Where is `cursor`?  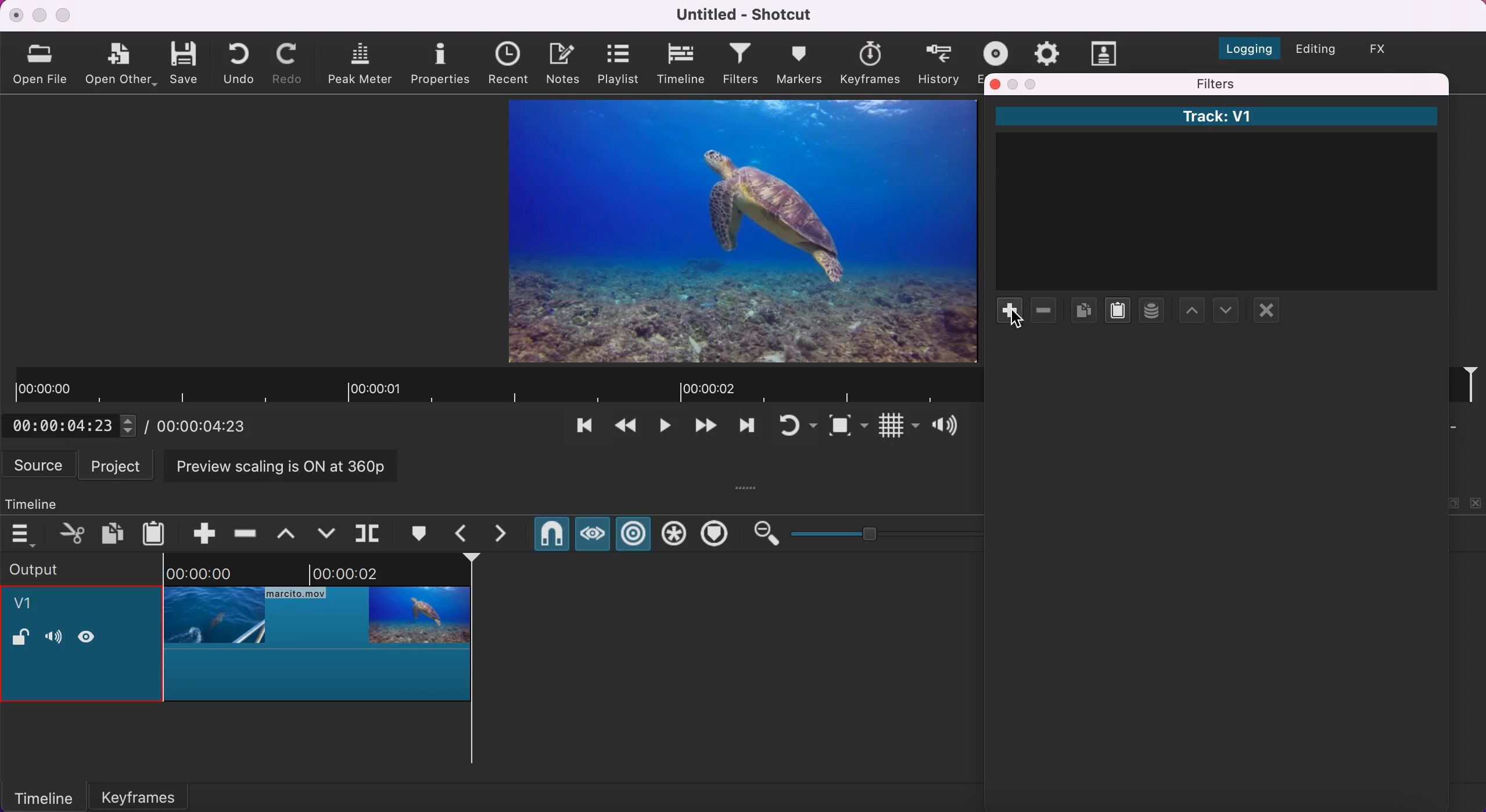 cursor is located at coordinates (1018, 318).